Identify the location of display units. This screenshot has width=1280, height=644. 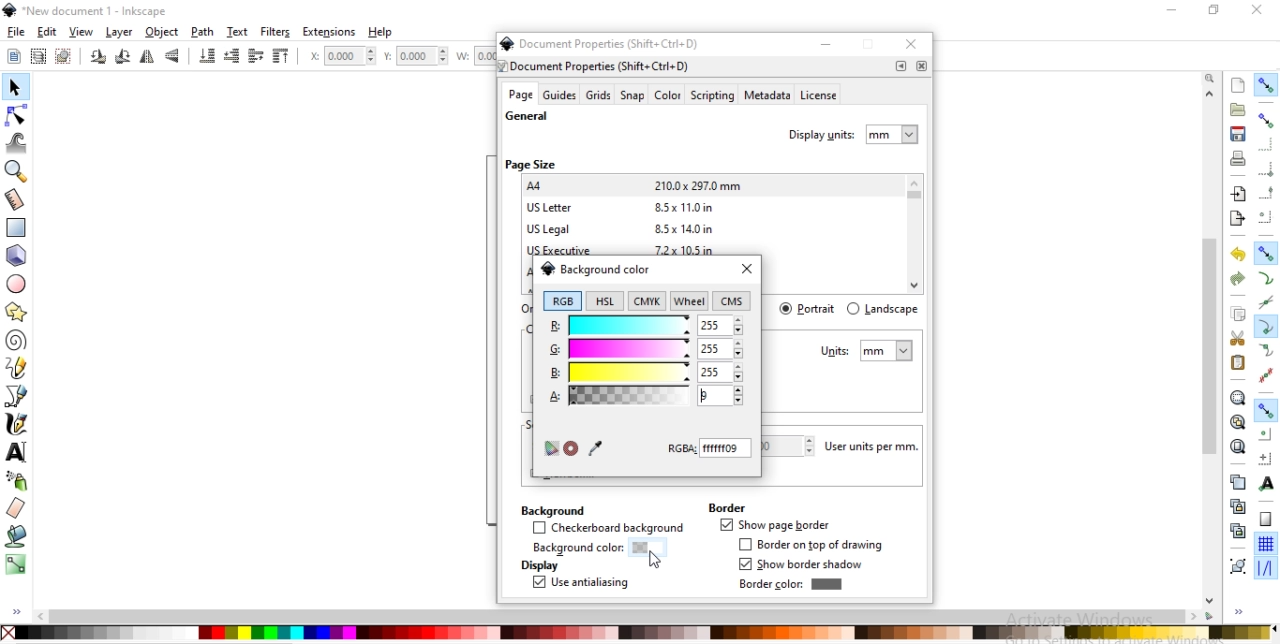
(855, 132).